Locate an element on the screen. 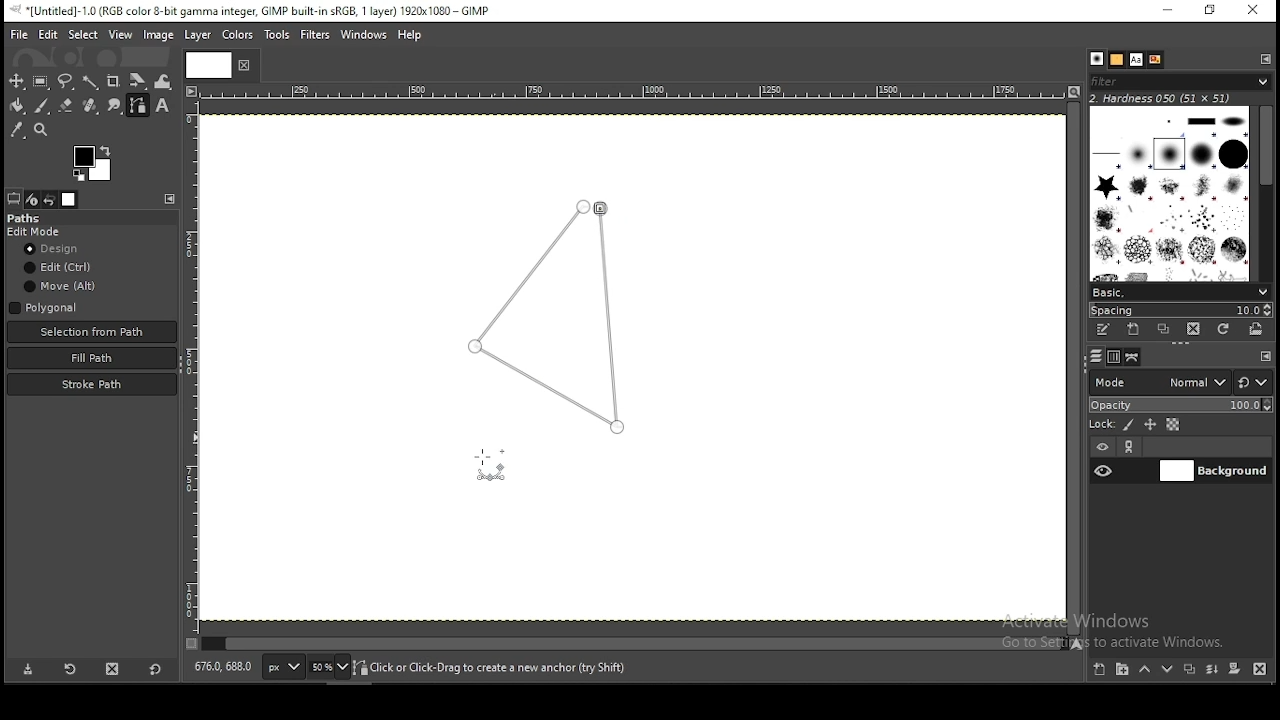 This screenshot has width=1280, height=720. paths is located at coordinates (29, 218).